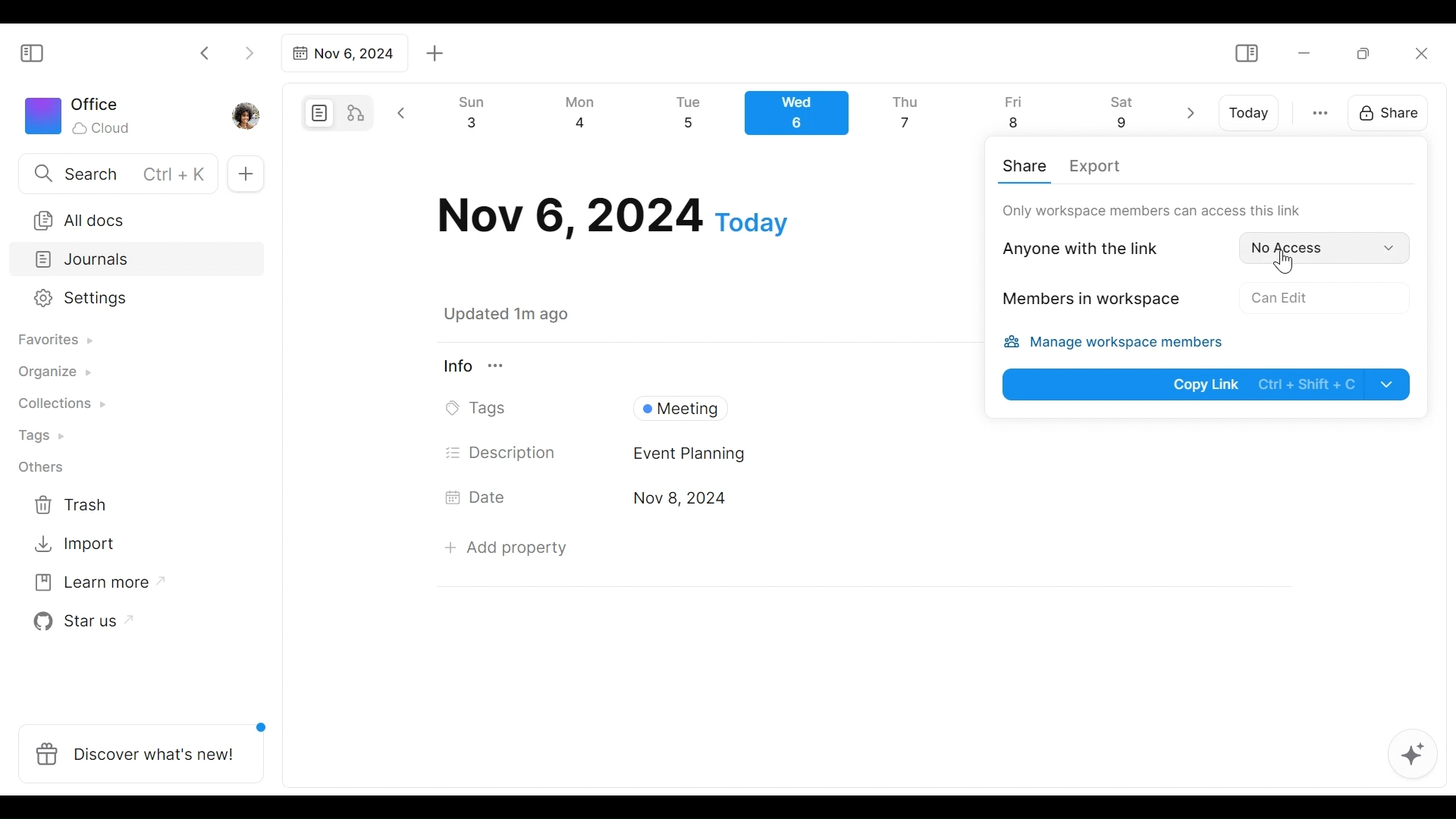 This screenshot has height=819, width=1456. What do you see at coordinates (959, 453) in the screenshot?
I see `Desciption Field` at bounding box center [959, 453].